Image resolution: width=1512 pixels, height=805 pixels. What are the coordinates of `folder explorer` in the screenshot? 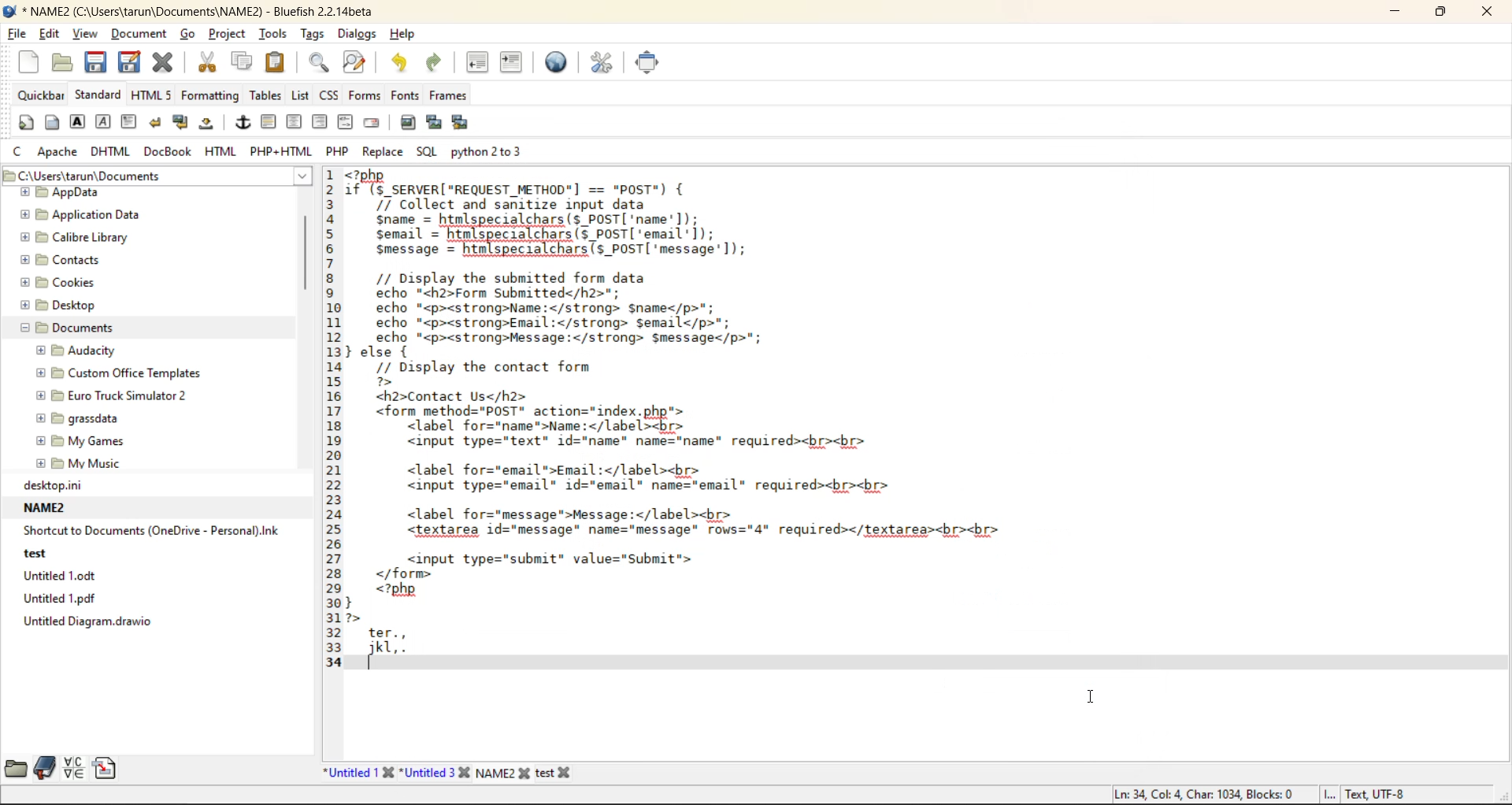 It's located at (138, 329).